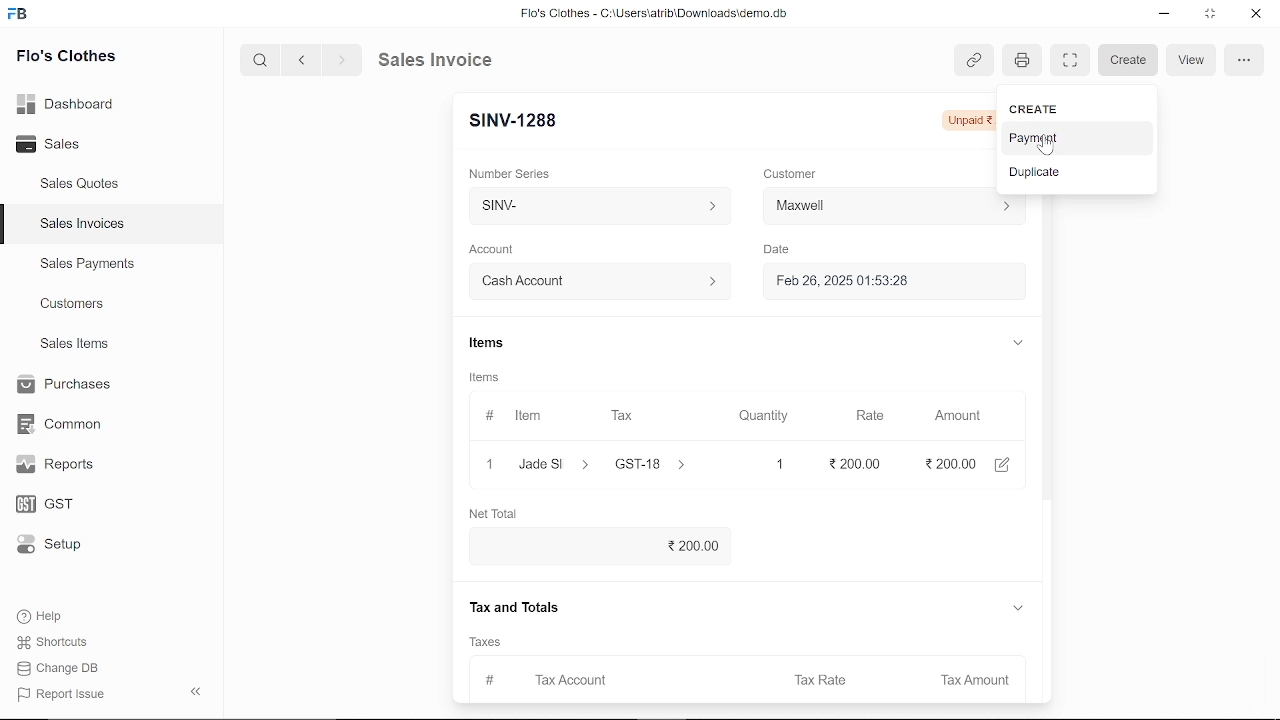 This screenshot has height=720, width=1280. Describe the element at coordinates (1006, 463) in the screenshot. I see `edit account` at that location.